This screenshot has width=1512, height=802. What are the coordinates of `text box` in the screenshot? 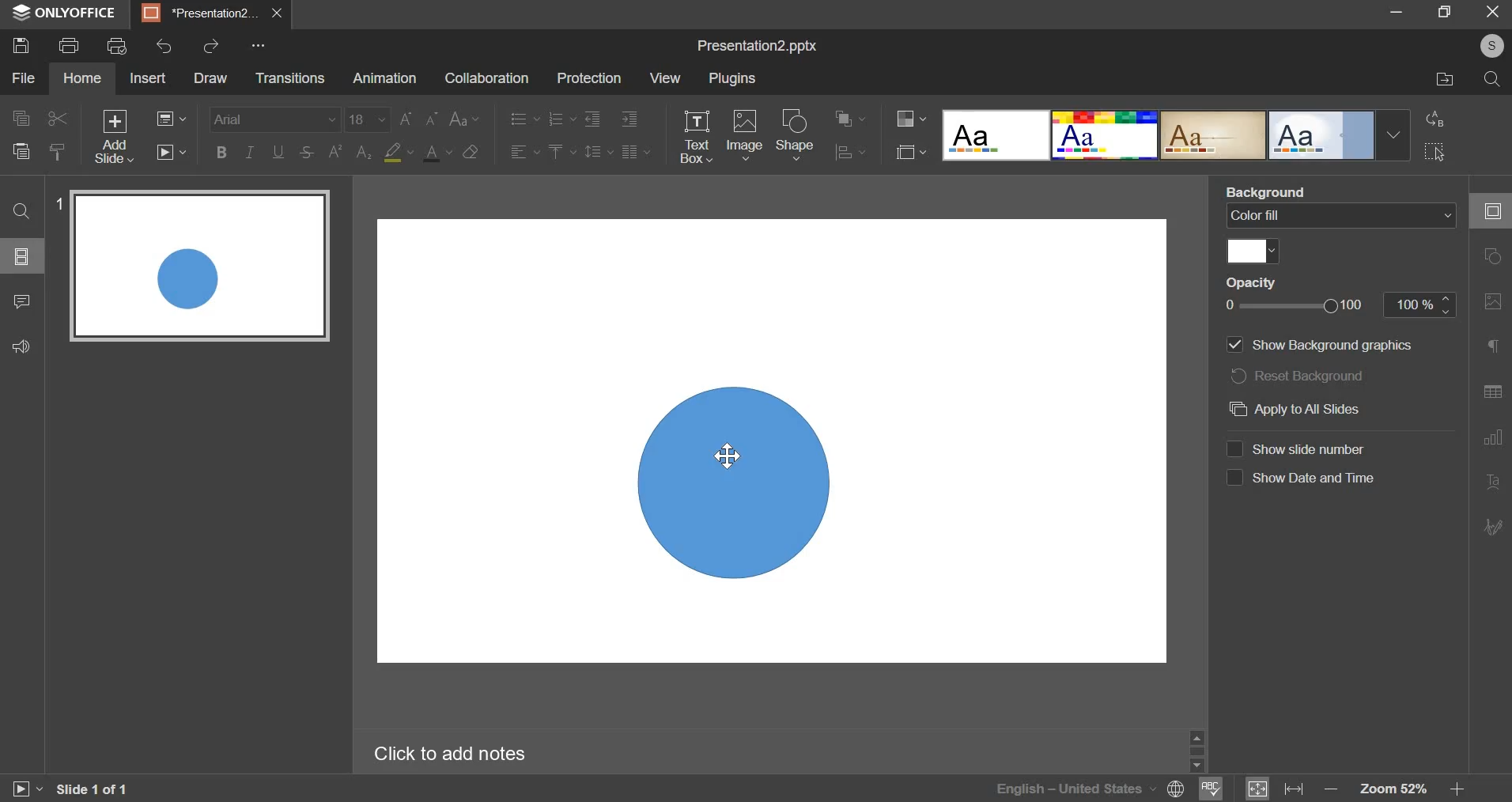 It's located at (697, 138).